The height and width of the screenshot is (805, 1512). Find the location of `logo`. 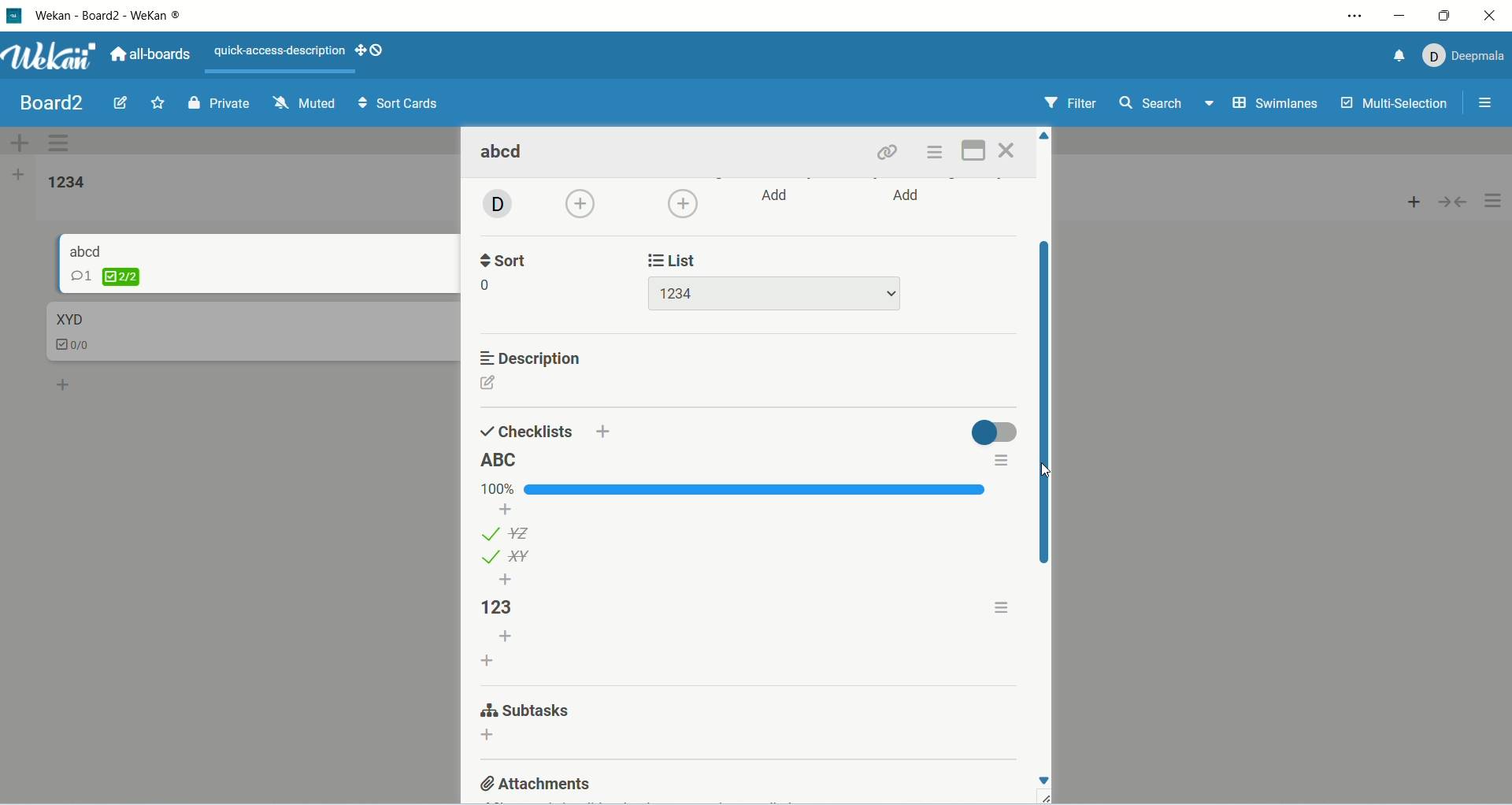

logo is located at coordinates (13, 17).